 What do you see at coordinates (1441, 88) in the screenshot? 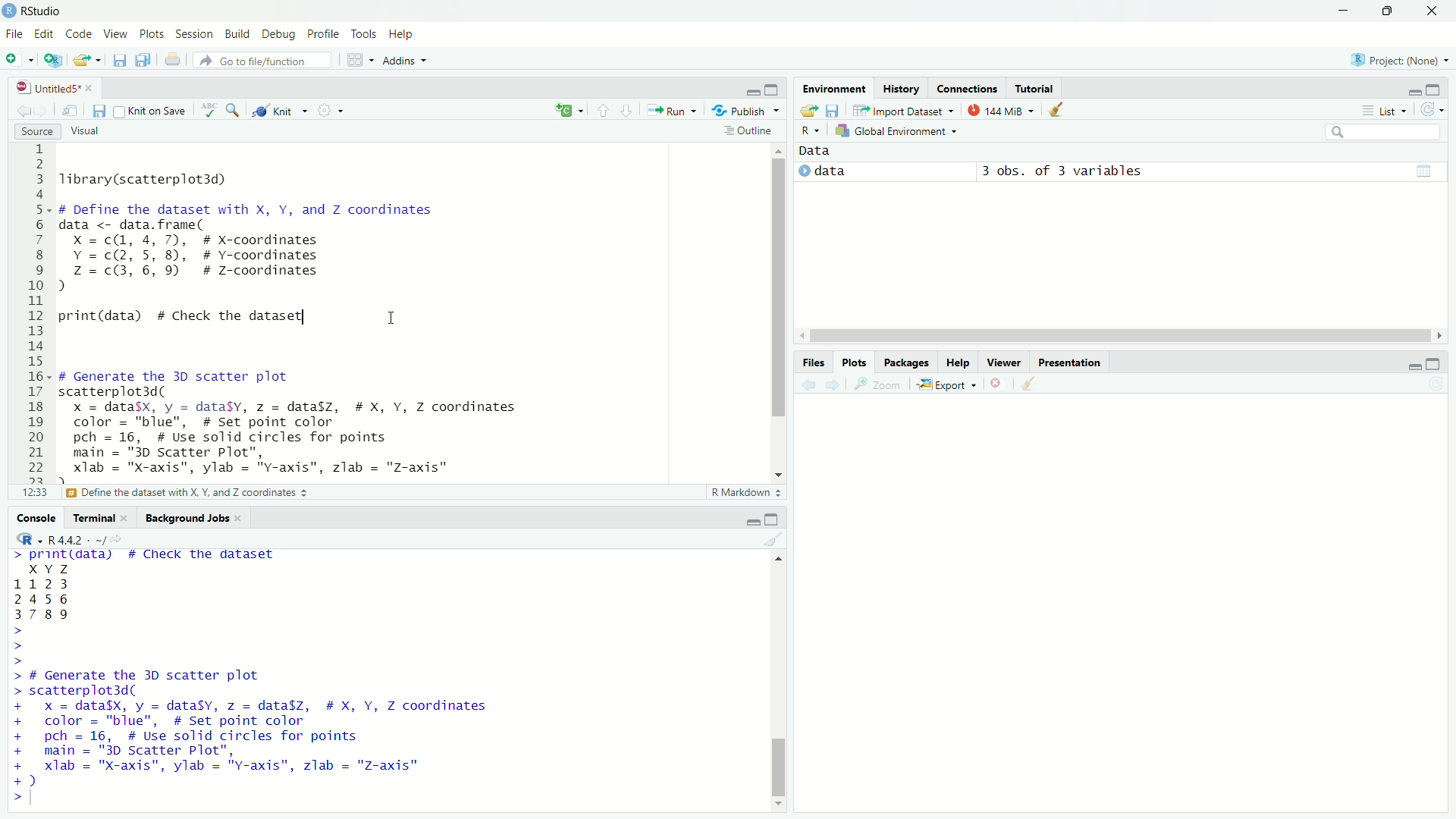
I see `maximize` at bounding box center [1441, 88].